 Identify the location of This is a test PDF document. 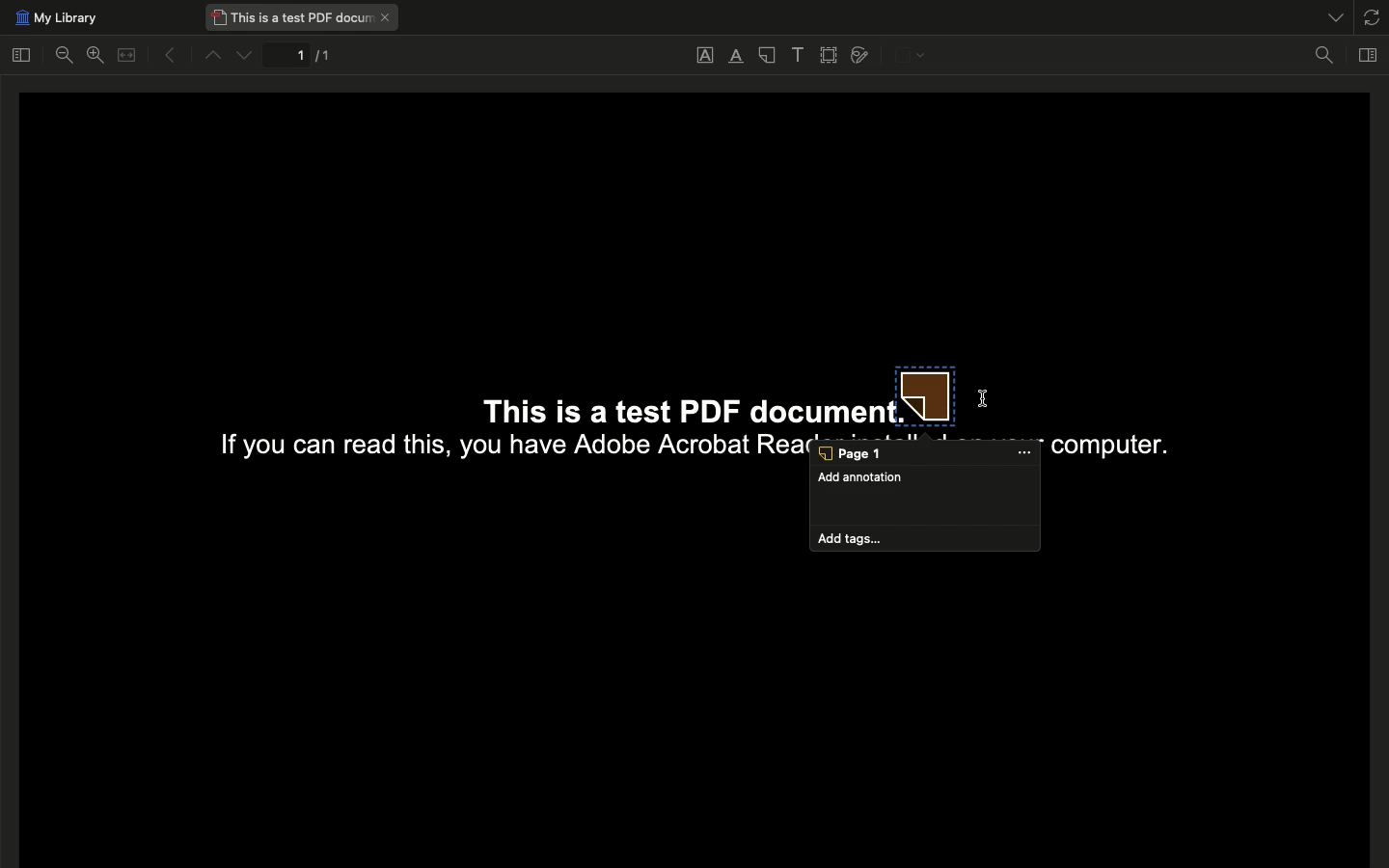
(303, 17).